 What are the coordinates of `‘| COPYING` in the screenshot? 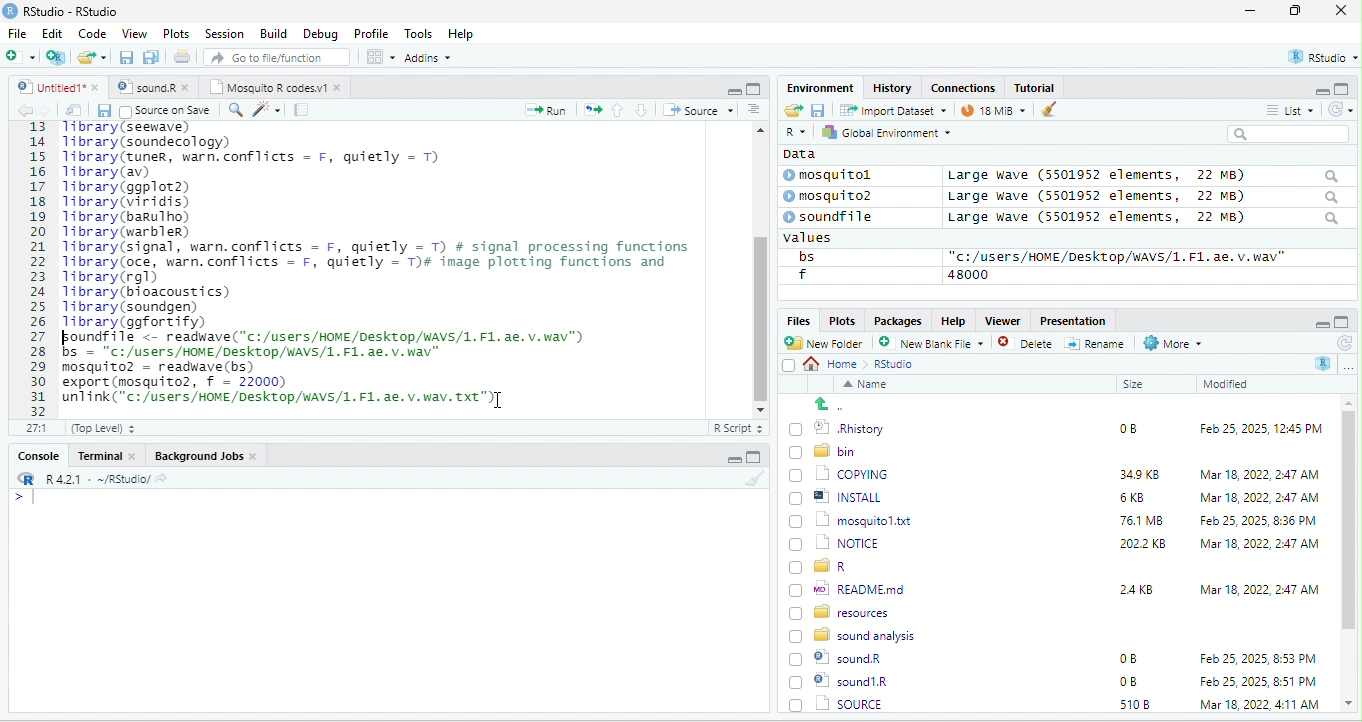 It's located at (839, 473).